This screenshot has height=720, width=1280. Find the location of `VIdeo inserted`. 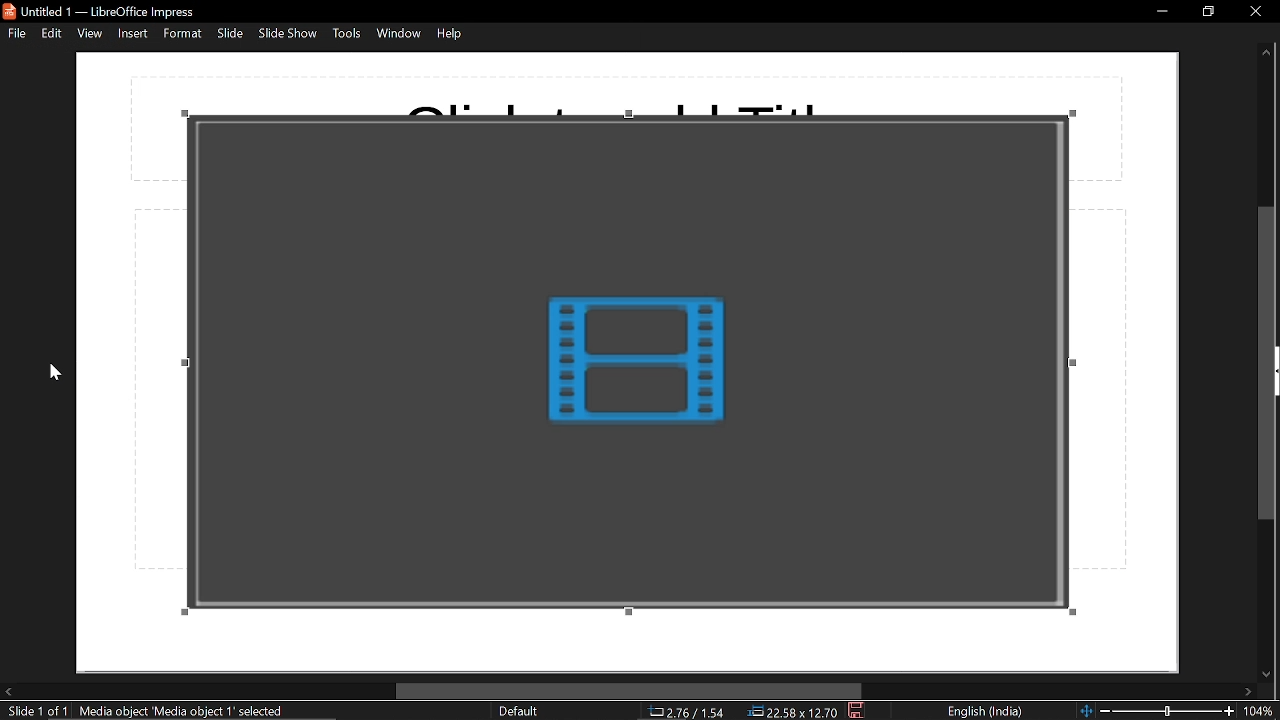

VIdeo inserted is located at coordinates (644, 359).